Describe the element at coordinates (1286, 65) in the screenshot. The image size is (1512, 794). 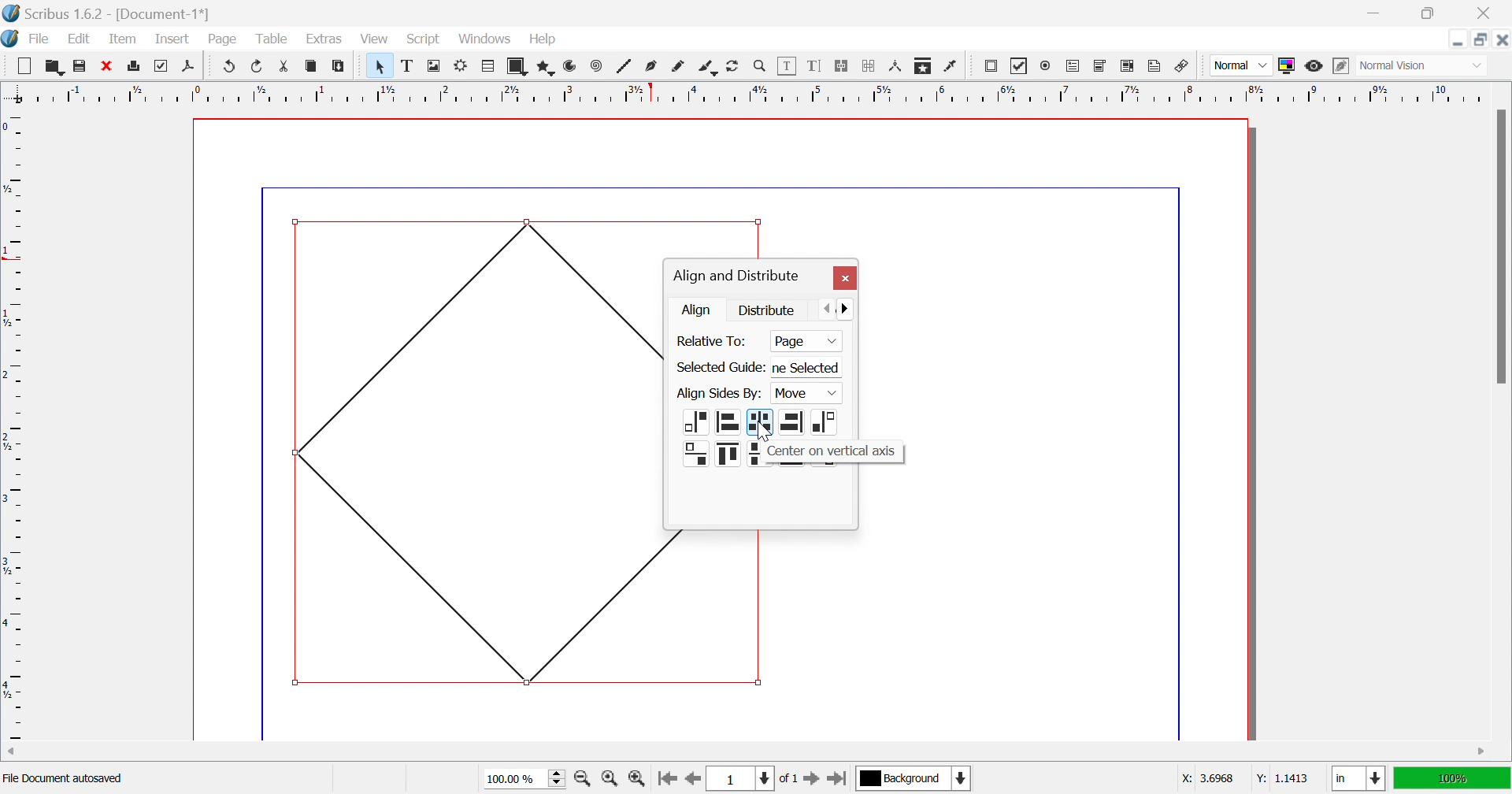
I see `Toggle Color Management System` at that location.